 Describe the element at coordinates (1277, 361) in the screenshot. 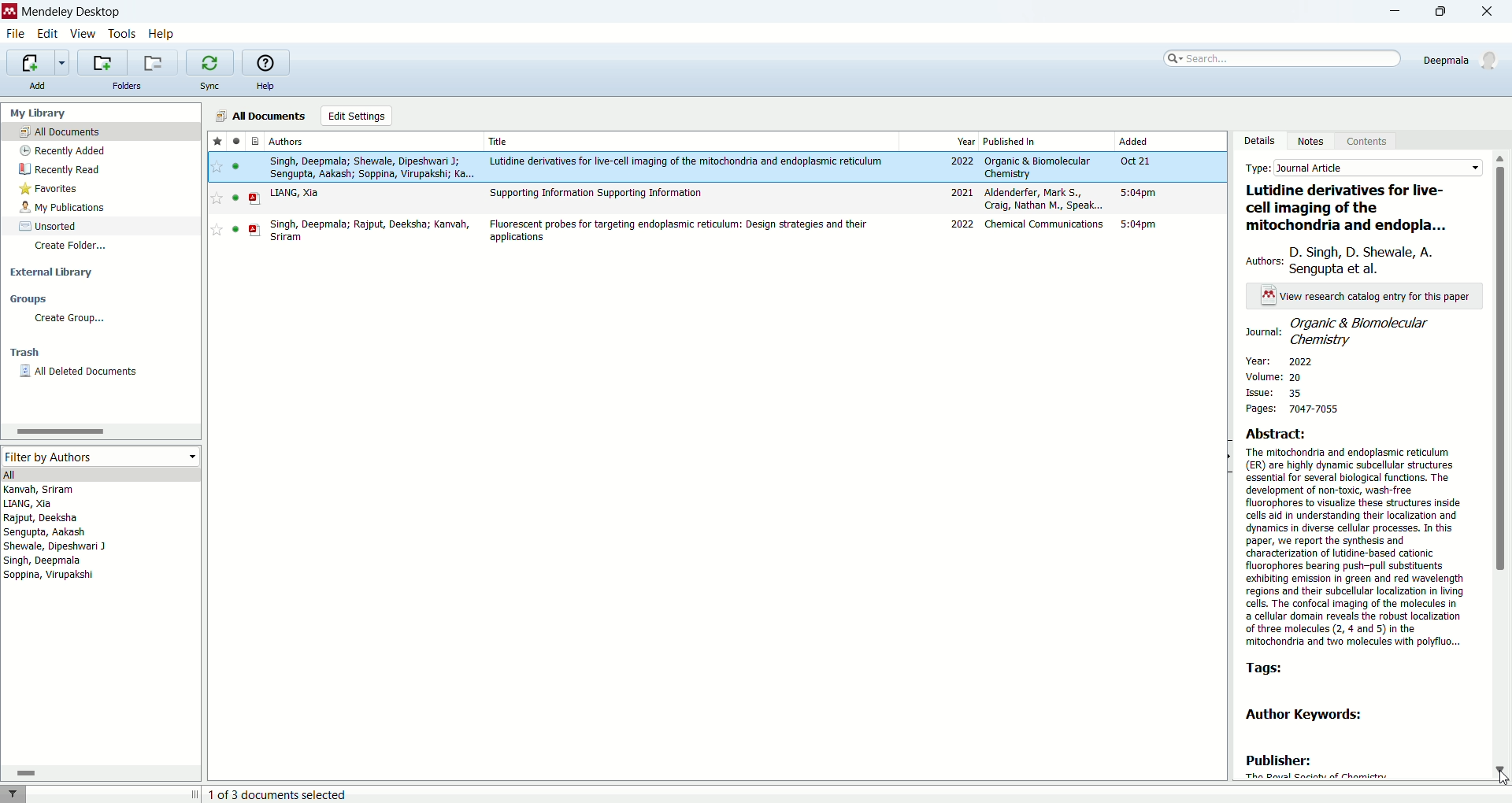

I see `year: 2022` at that location.